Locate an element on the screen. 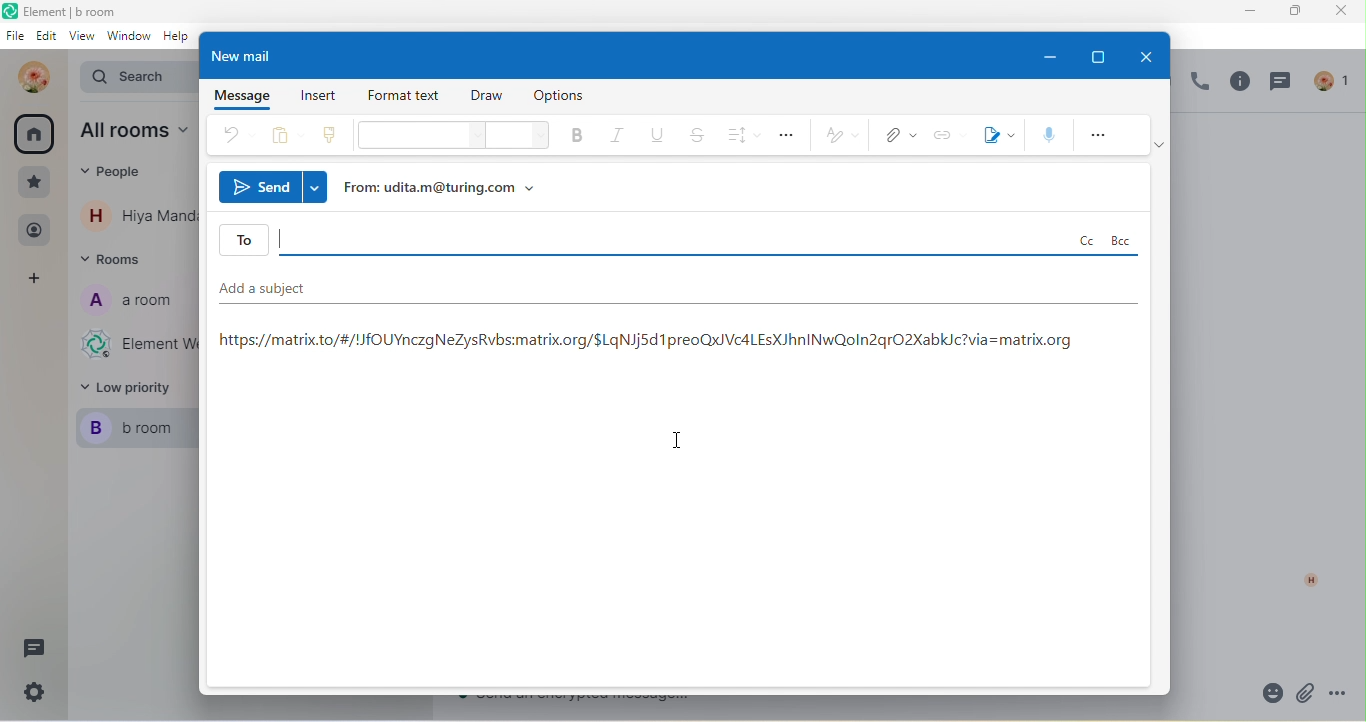 The width and height of the screenshot is (1366, 722). view is located at coordinates (81, 39).